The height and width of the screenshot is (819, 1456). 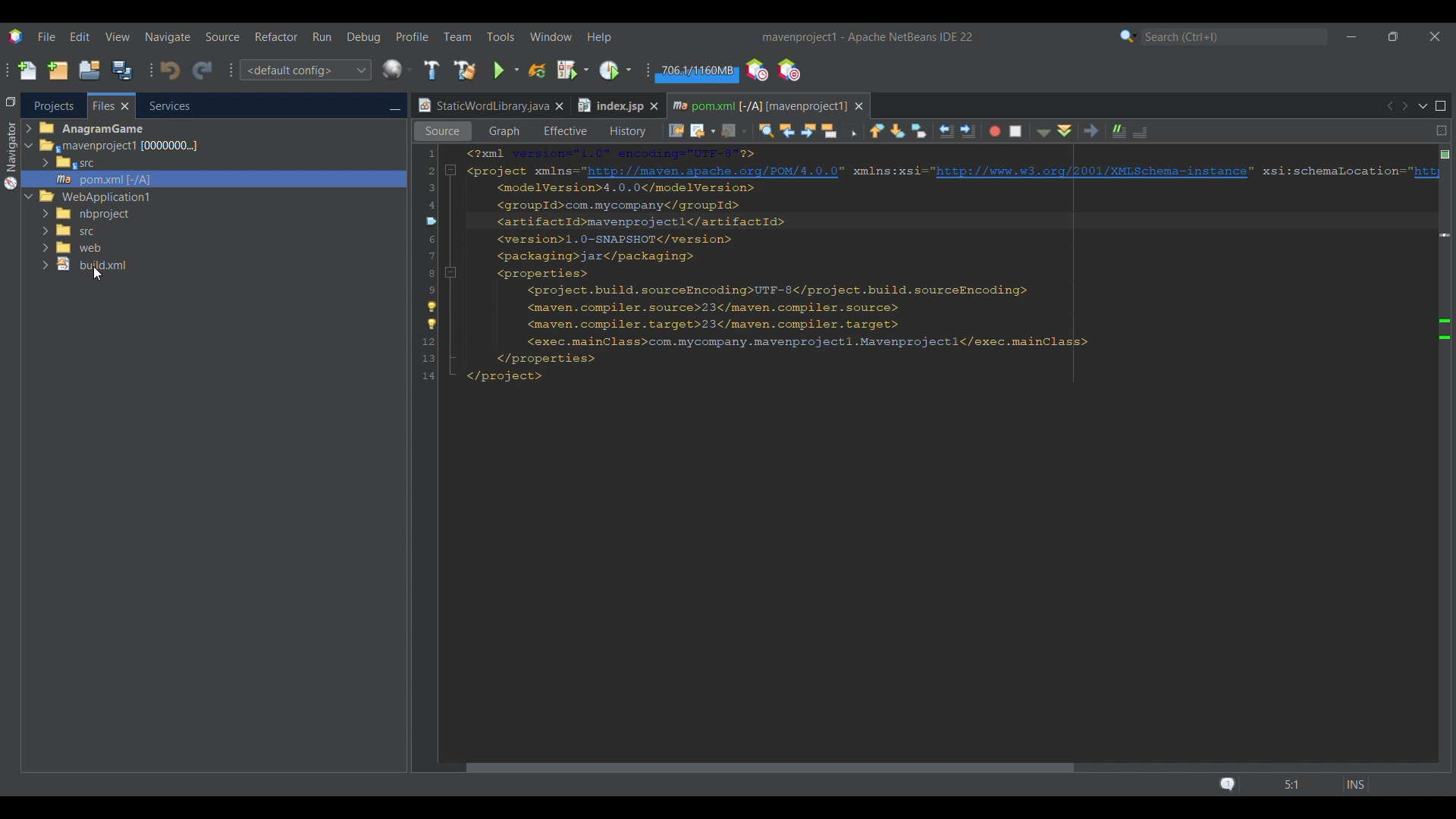 I want to click on Clean and build main project, so click(x=465, y=71).